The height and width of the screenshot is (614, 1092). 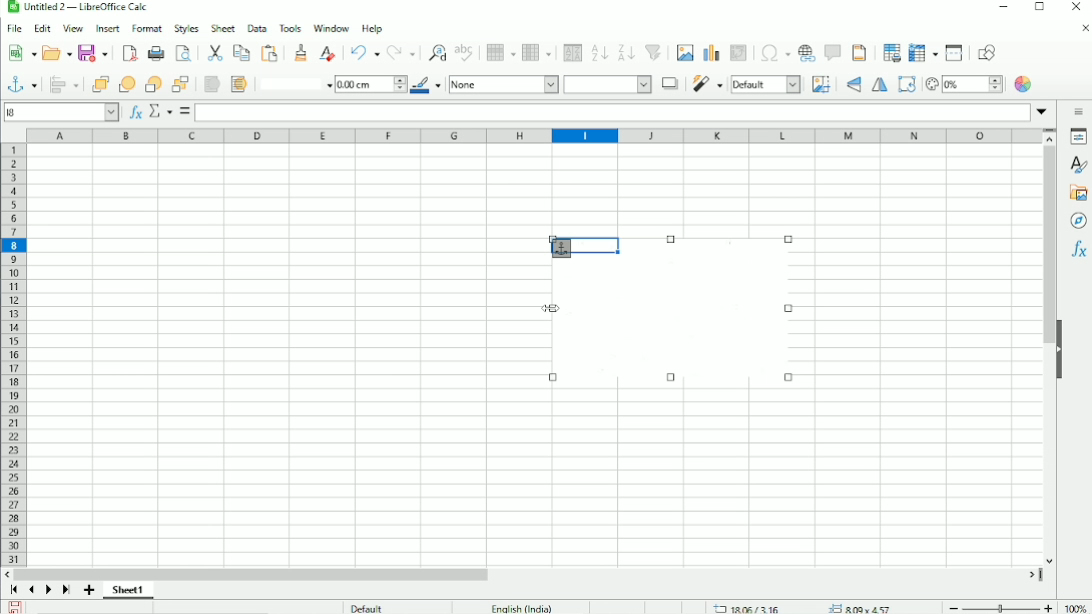 What do you see at coordinates (570, 52) in the screenshot?
I see `Sort` at bounding box center [570, 52].